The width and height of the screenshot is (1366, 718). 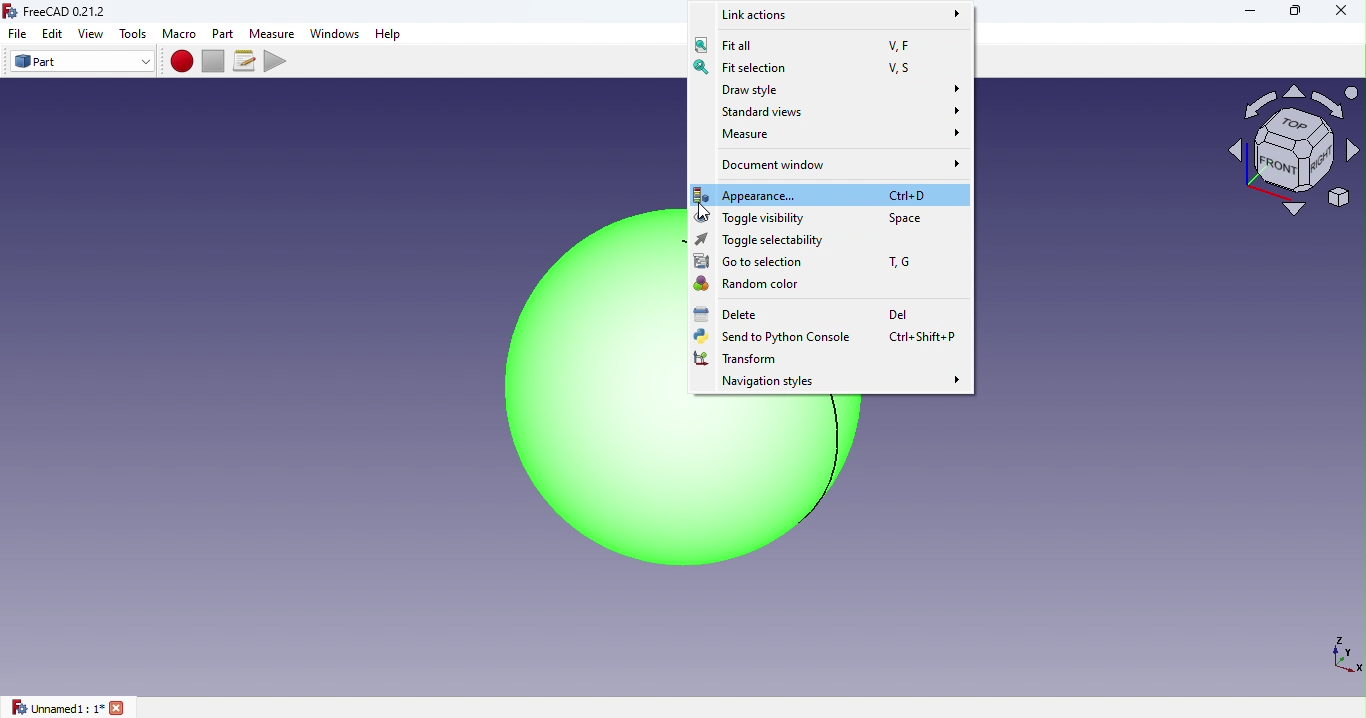 I want to click on Unnamed: 1*, so click(x=69, y=707).